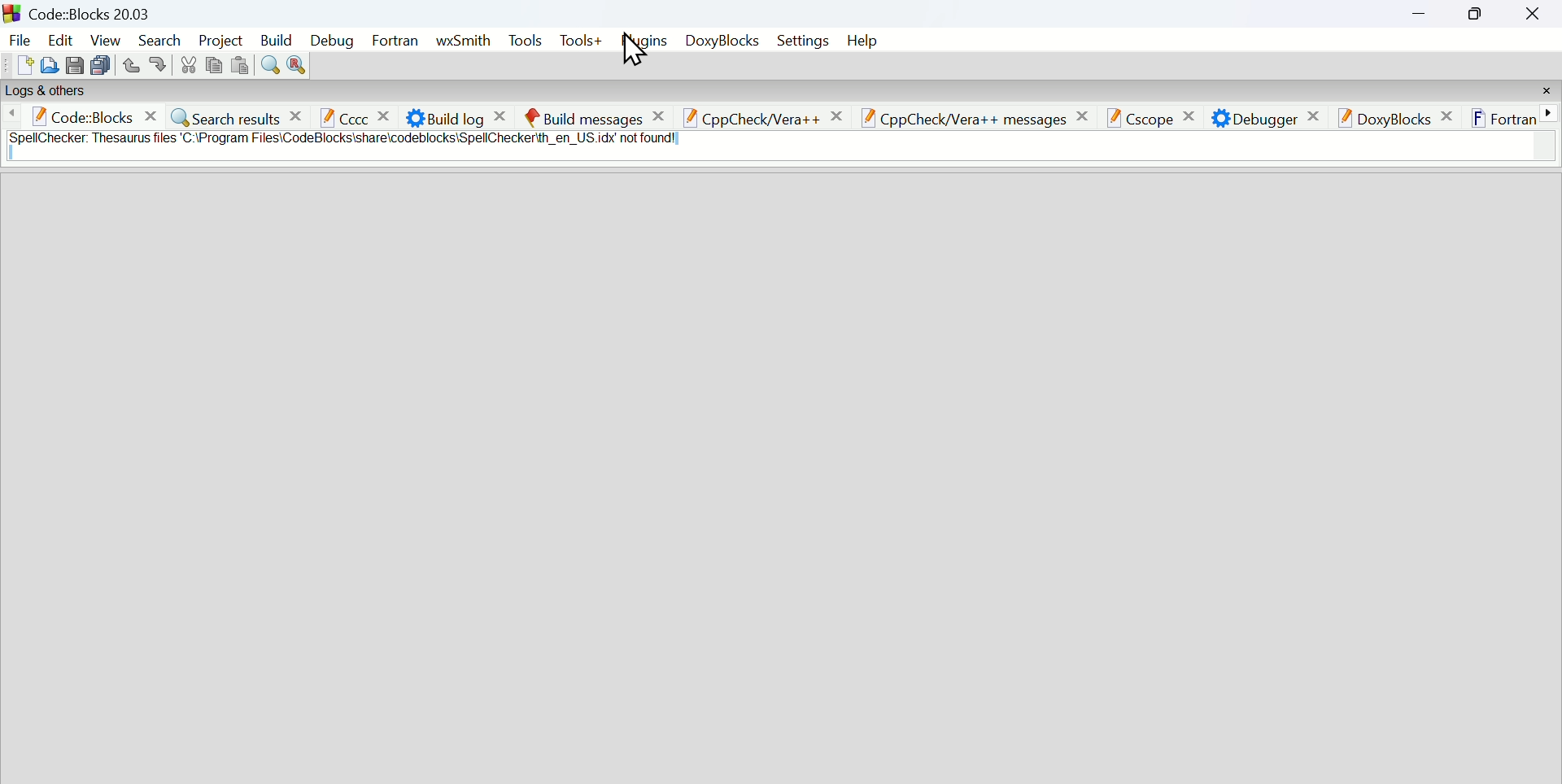 The image size is (1562, 784). Describe the element at coordinates (60, 39) in the screenshot. I see `Edit` at that location.